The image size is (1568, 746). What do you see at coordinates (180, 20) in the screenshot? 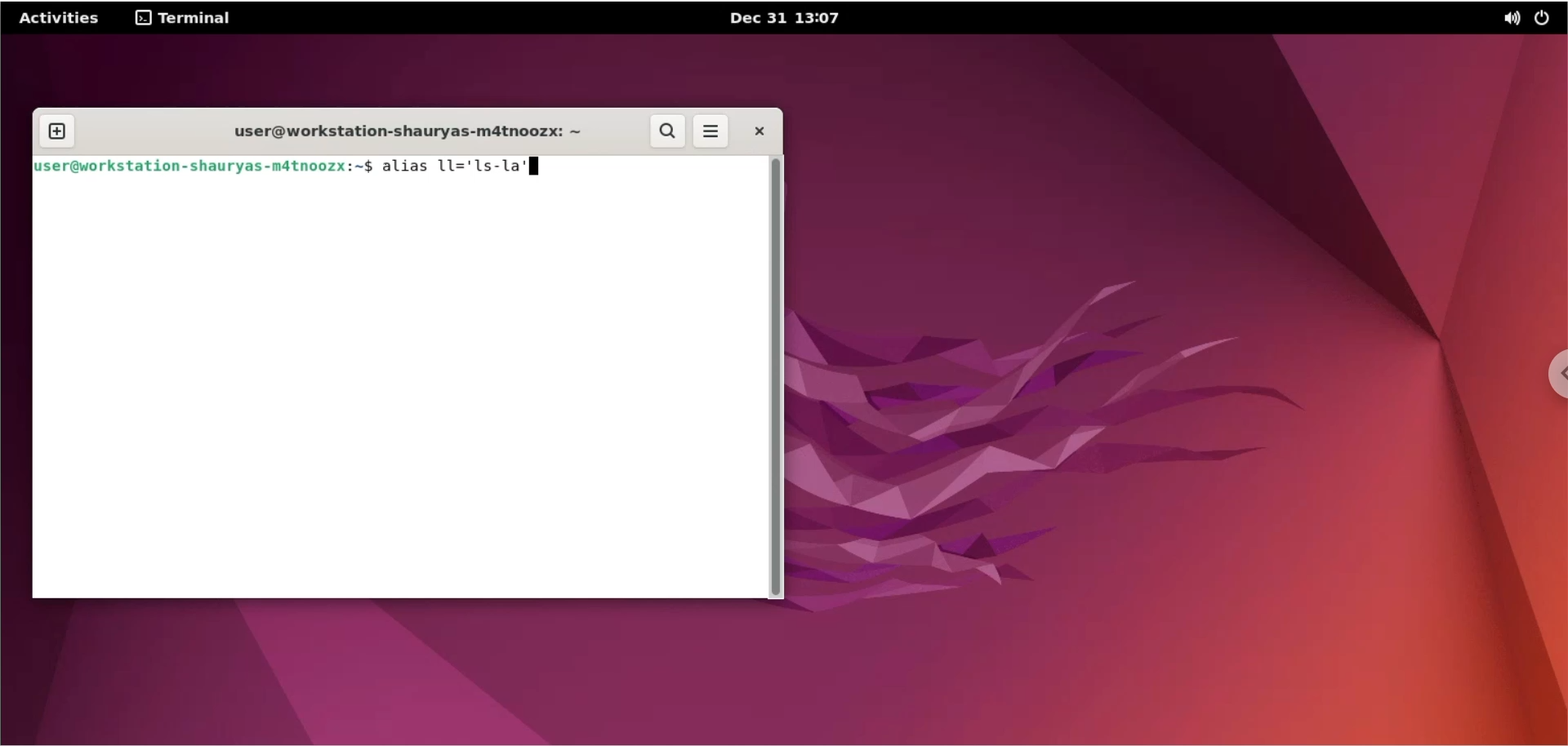
I see `terminal` at bounding box center [180, 20].